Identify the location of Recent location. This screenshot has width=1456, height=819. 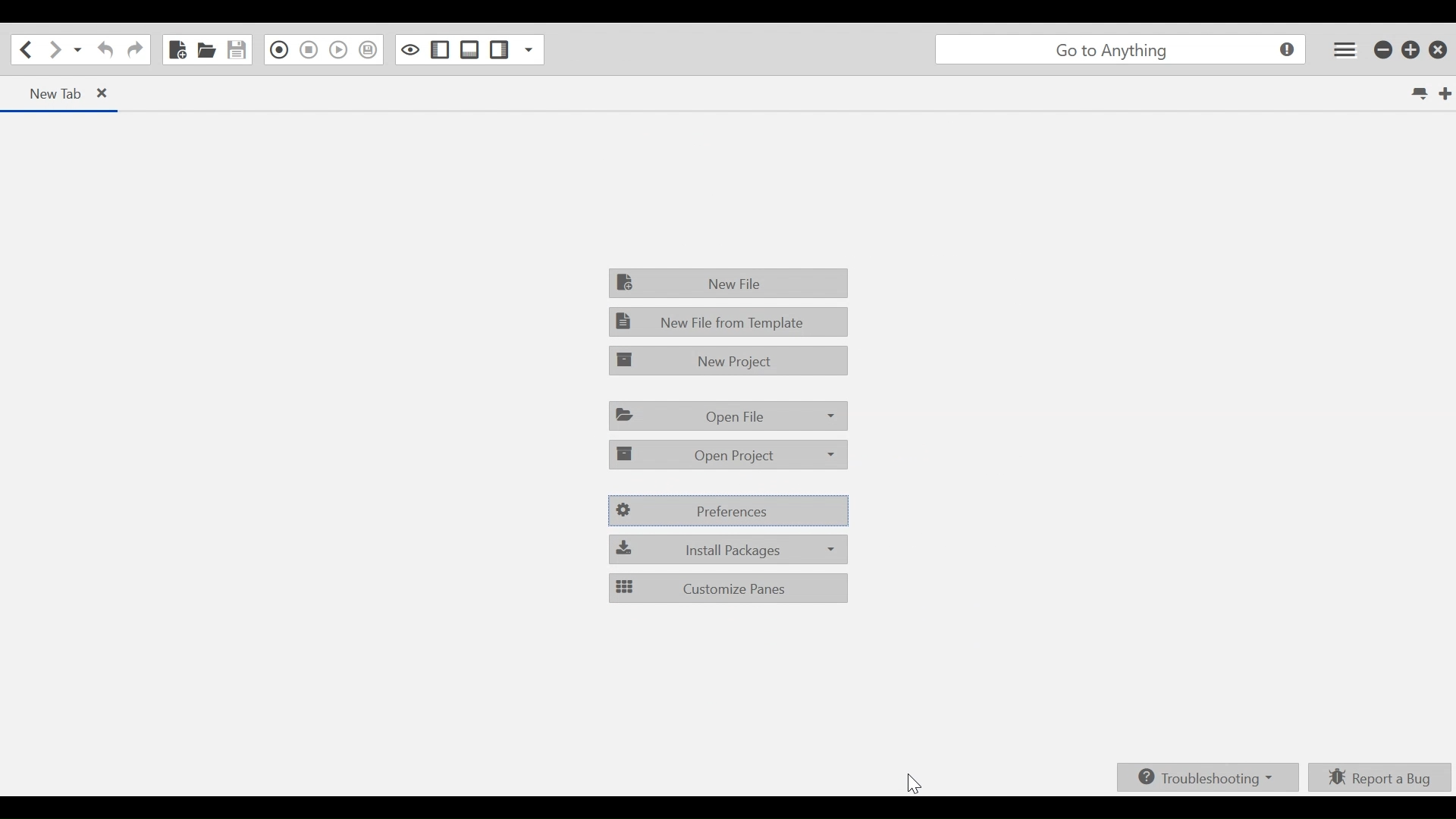
(78, 51).